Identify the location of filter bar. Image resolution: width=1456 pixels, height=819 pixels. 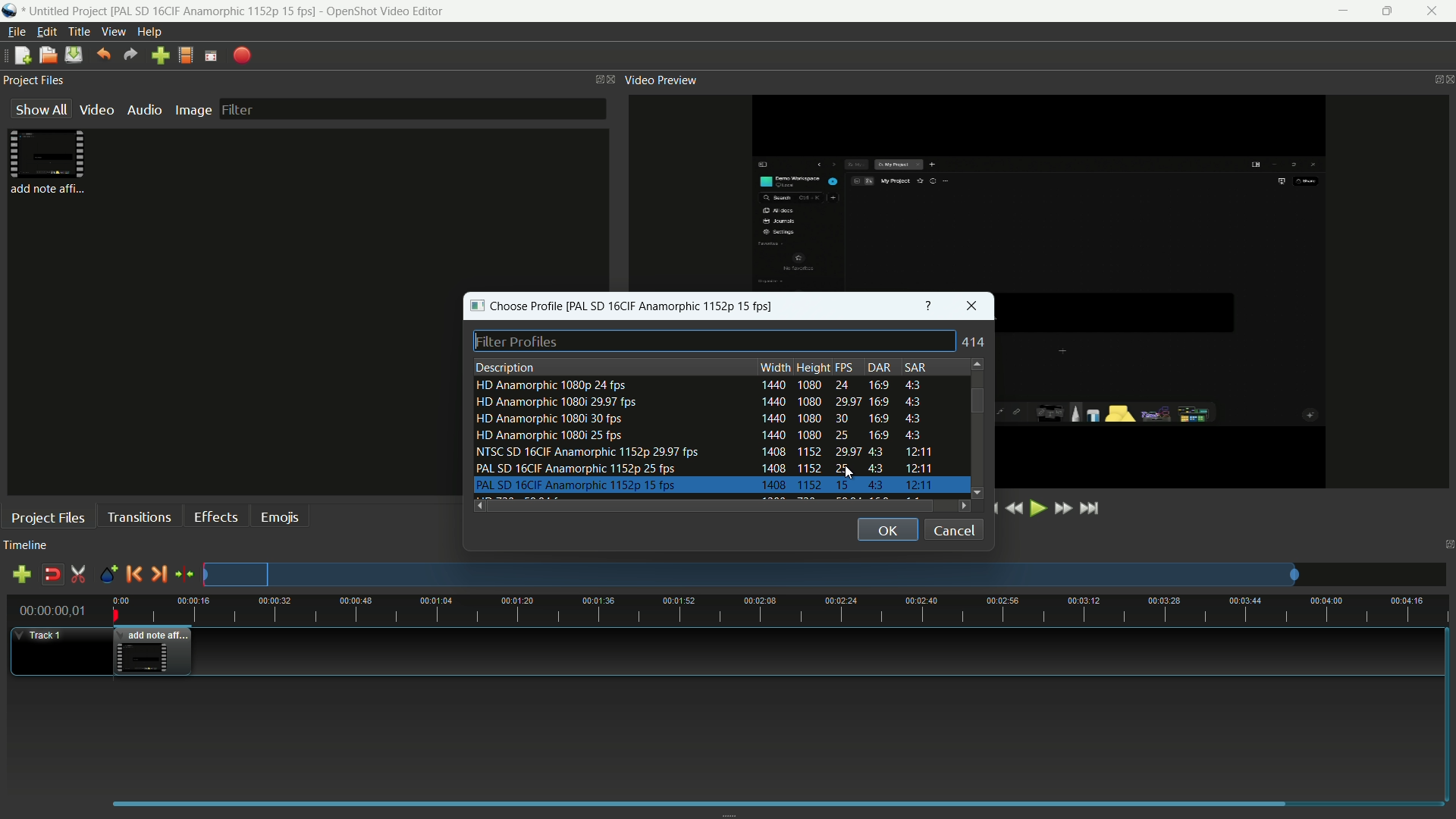
(412, 108).